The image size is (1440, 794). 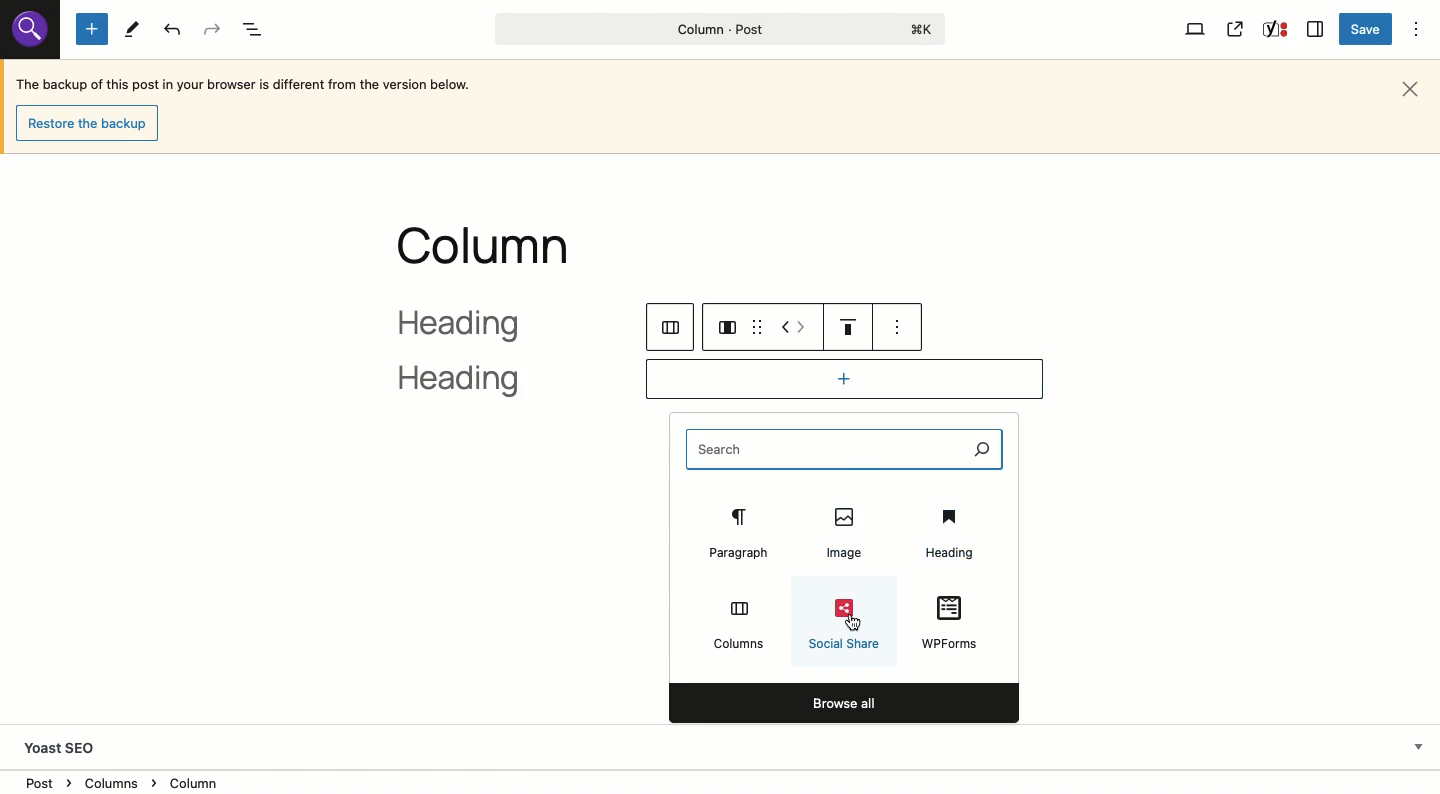 What do you see at coordinates (725, 331) in the screenshot?
I see `column layout` at bounding box center [725, 331].